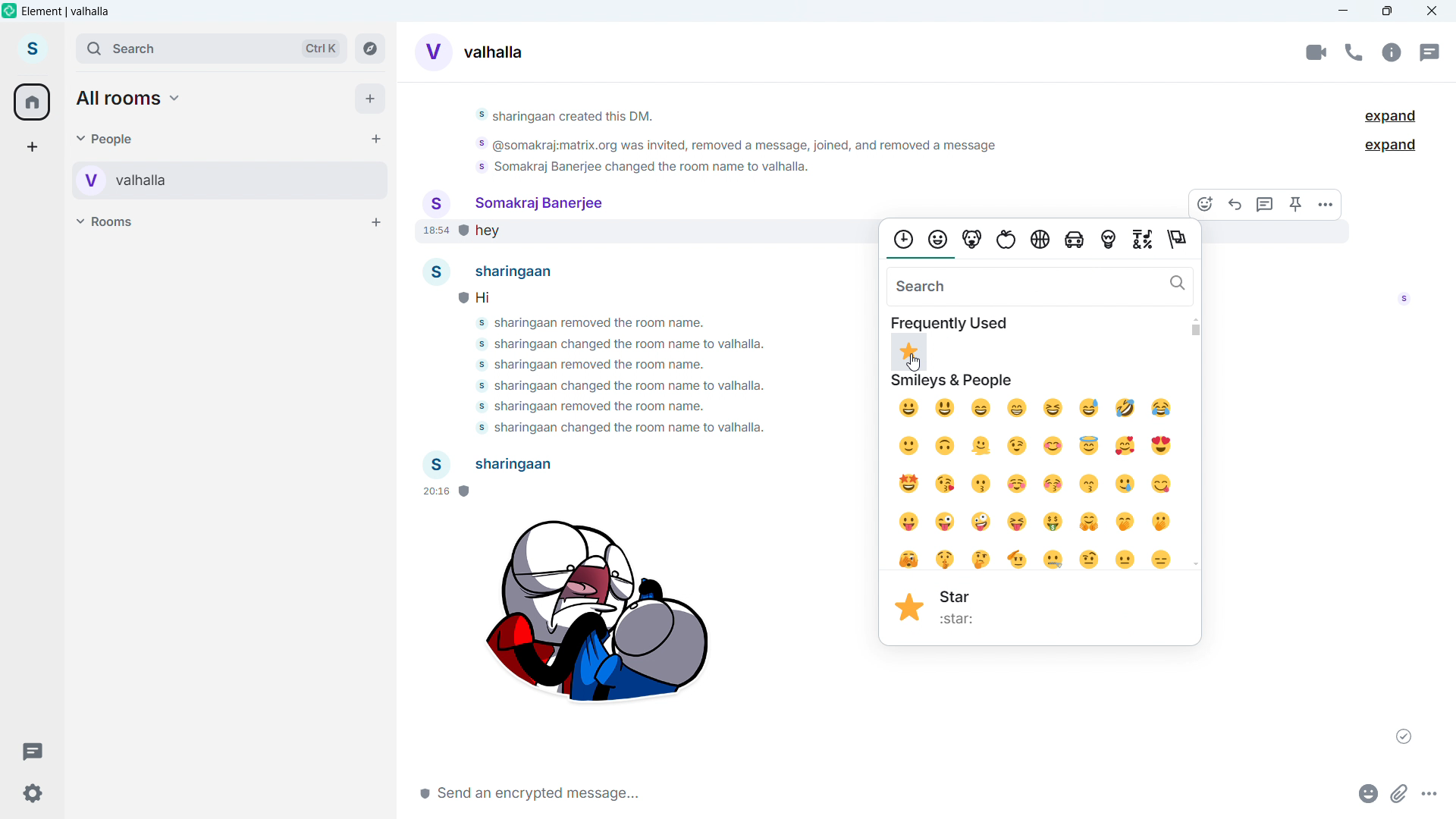 The height and width of the screenshot is (819, 1456). Describe the element at coordinates (497, 271) in the screenshot. I see `sharingaan` at that location.